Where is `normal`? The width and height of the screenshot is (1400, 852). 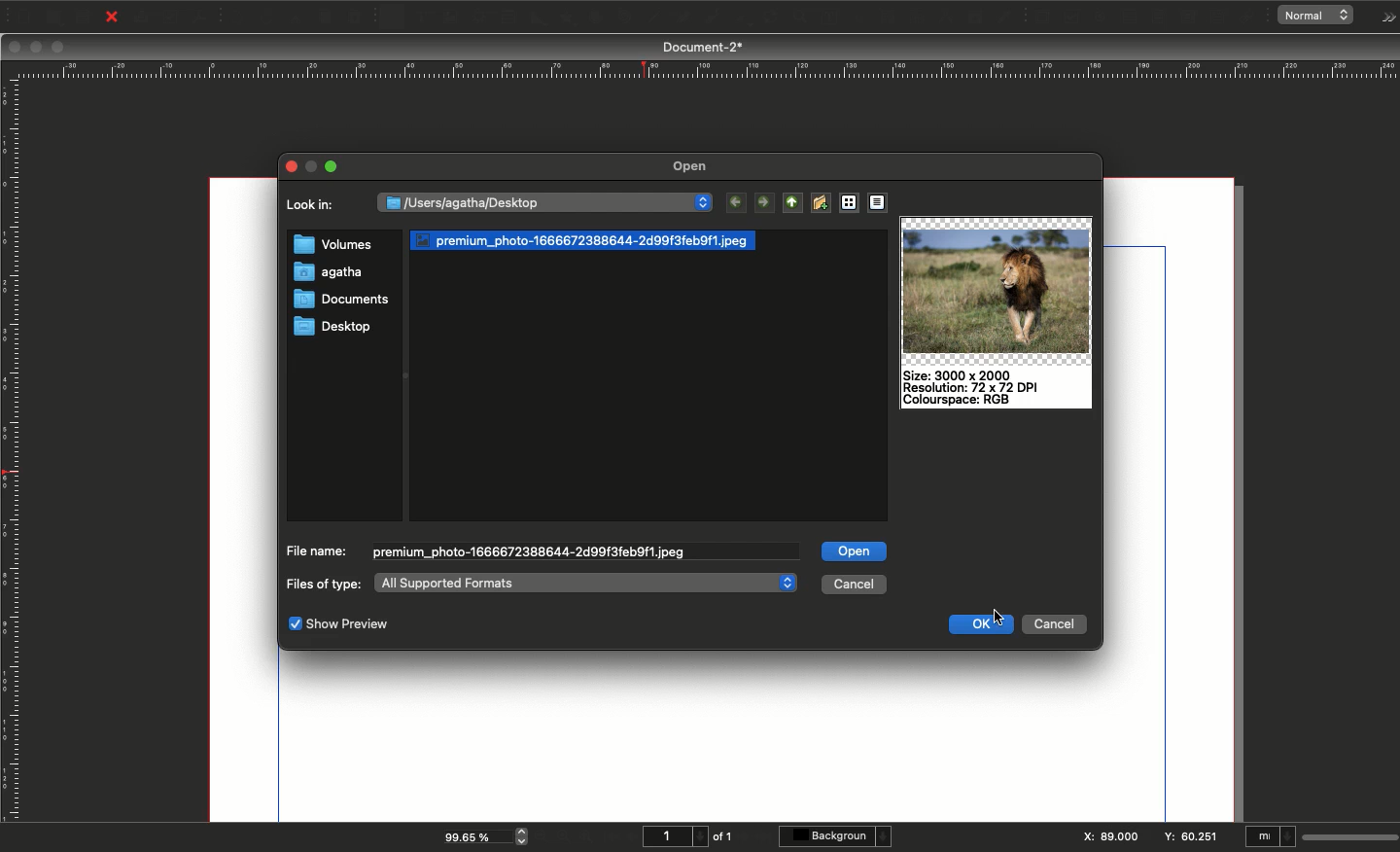 normal is located at coordinates (1320, 16).